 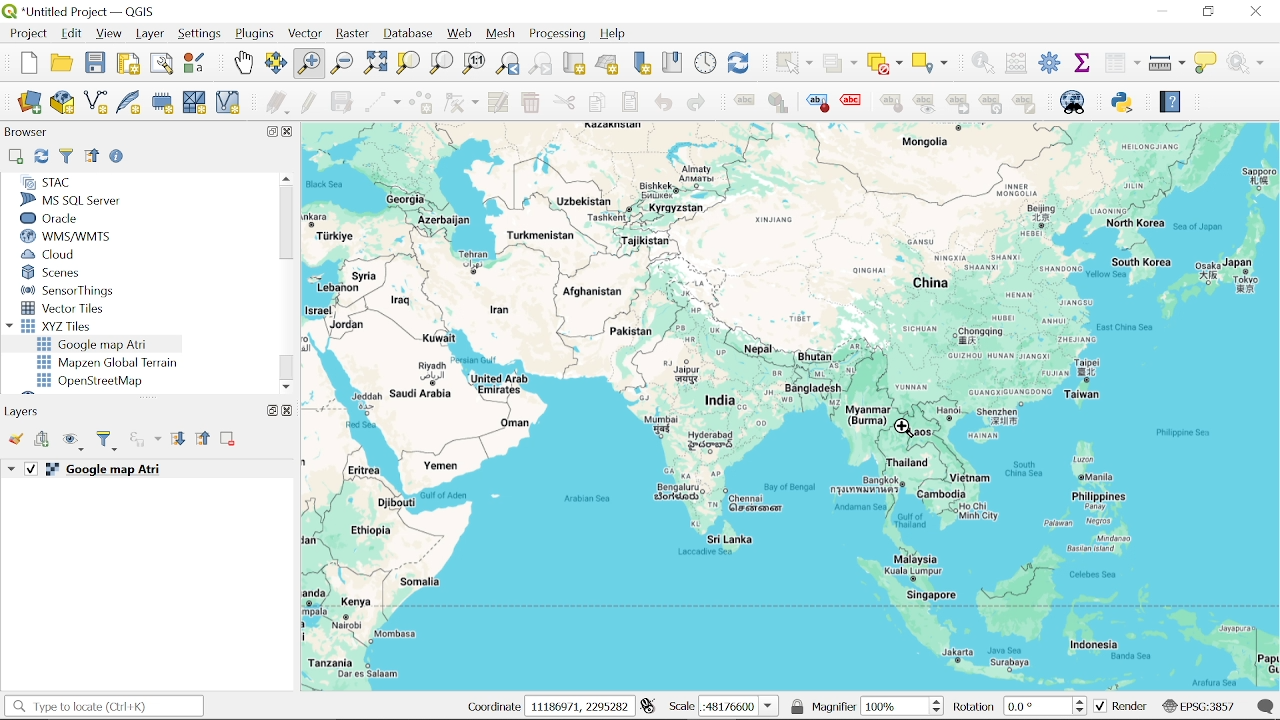 What do you see at coordinates (442, 62) in the screenshot?
I see `Zoom to layer` at bounding box center [442, 62].